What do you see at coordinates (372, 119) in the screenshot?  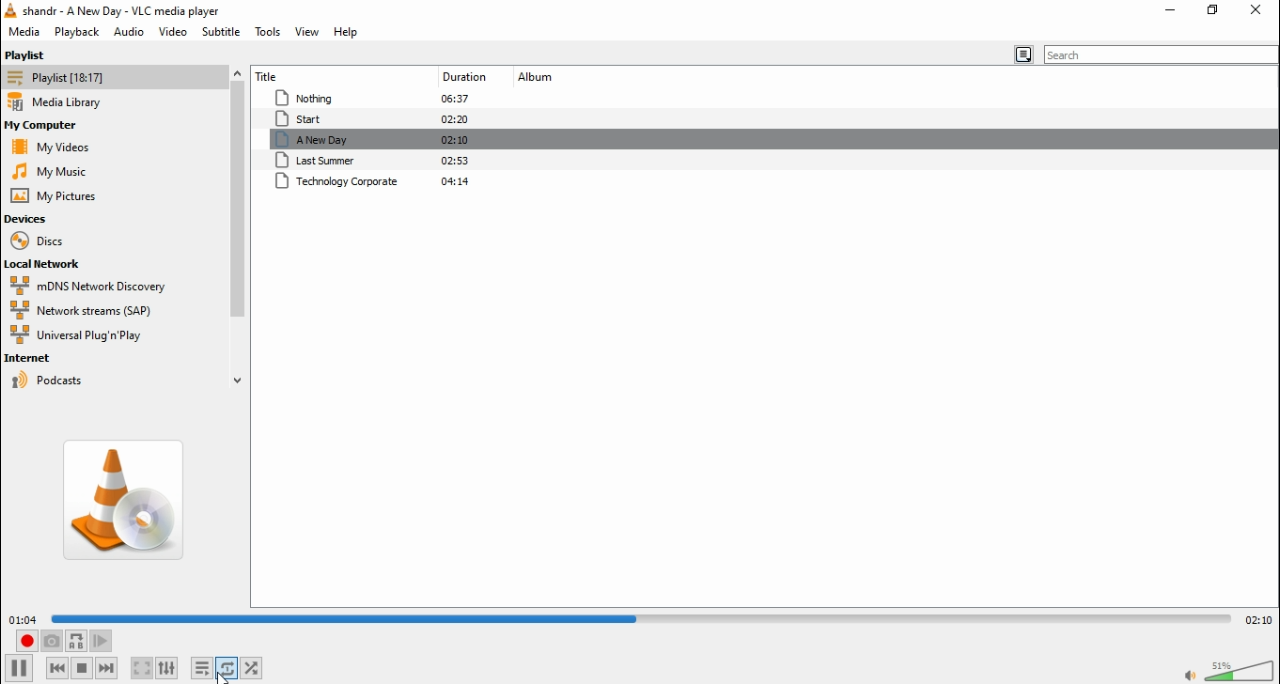 I see `start 02:20` at bounding box center [372, 119].